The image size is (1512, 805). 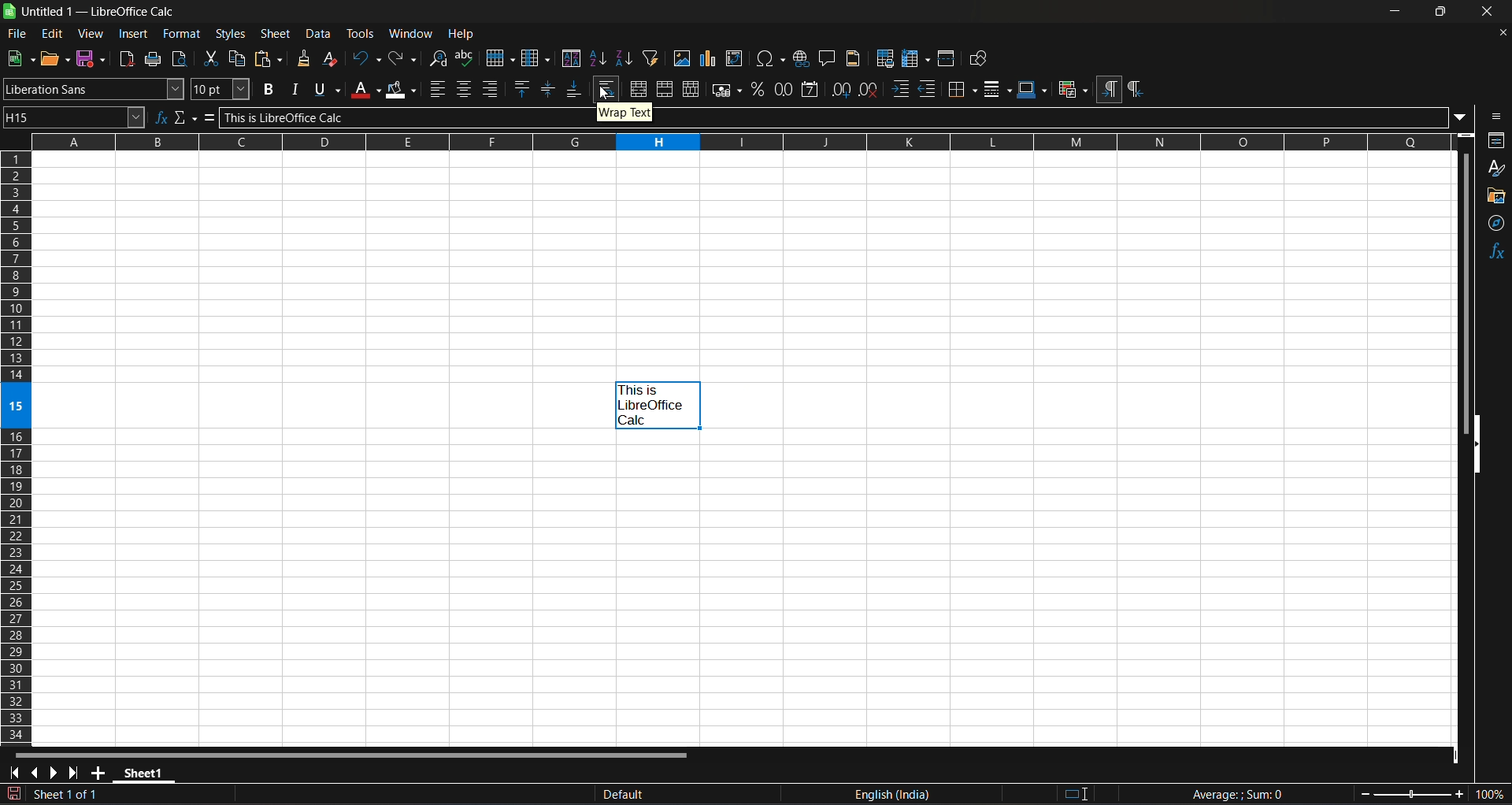 What do you see at coordinates (1498, 139) in the screenshot?
I see `properties` at bounding box center [1498, 139].